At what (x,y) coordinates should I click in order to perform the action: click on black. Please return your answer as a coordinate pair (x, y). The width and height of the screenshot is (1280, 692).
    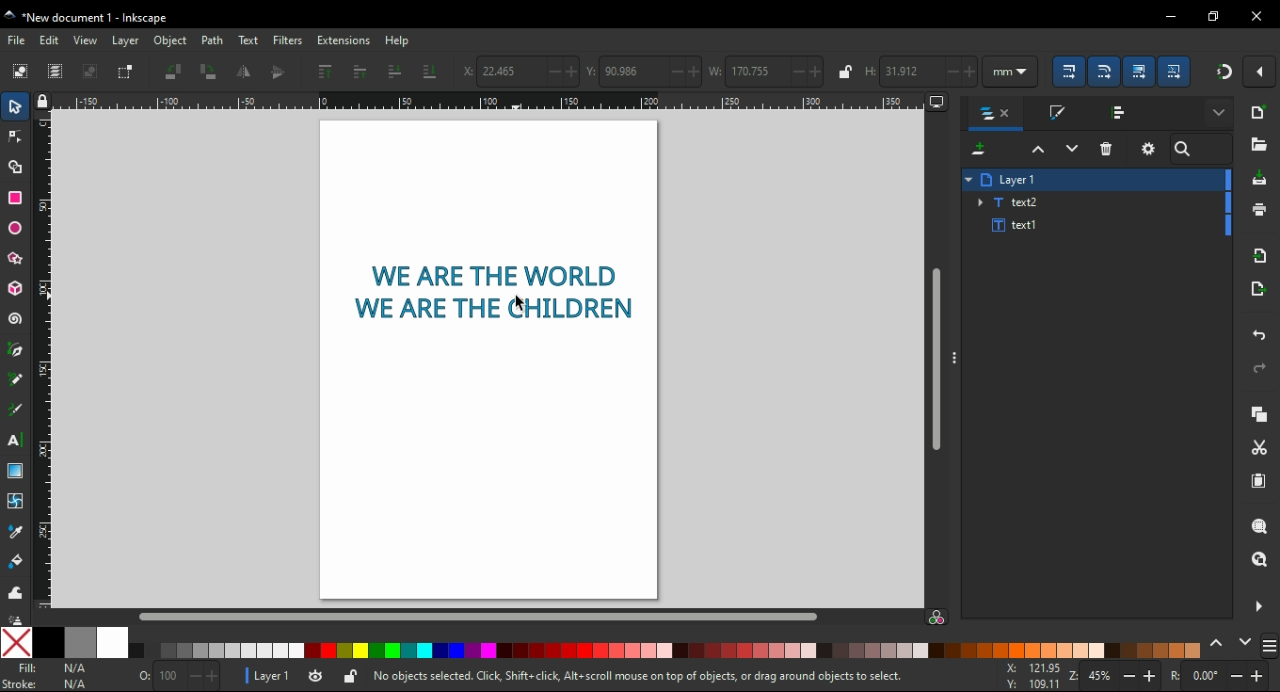
    Looking at the image, I should click on (48, 642).